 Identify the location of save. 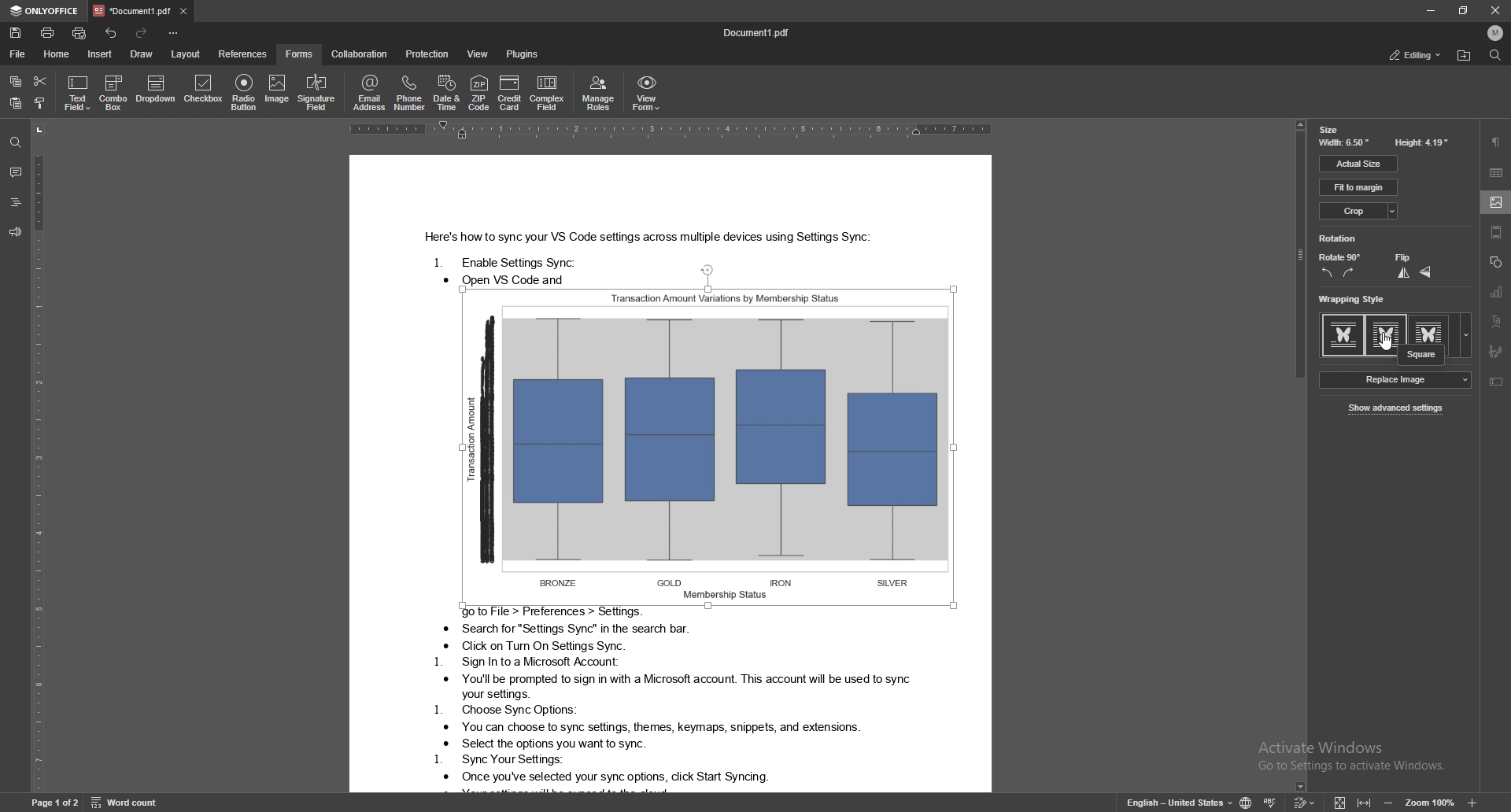
(16, 31).